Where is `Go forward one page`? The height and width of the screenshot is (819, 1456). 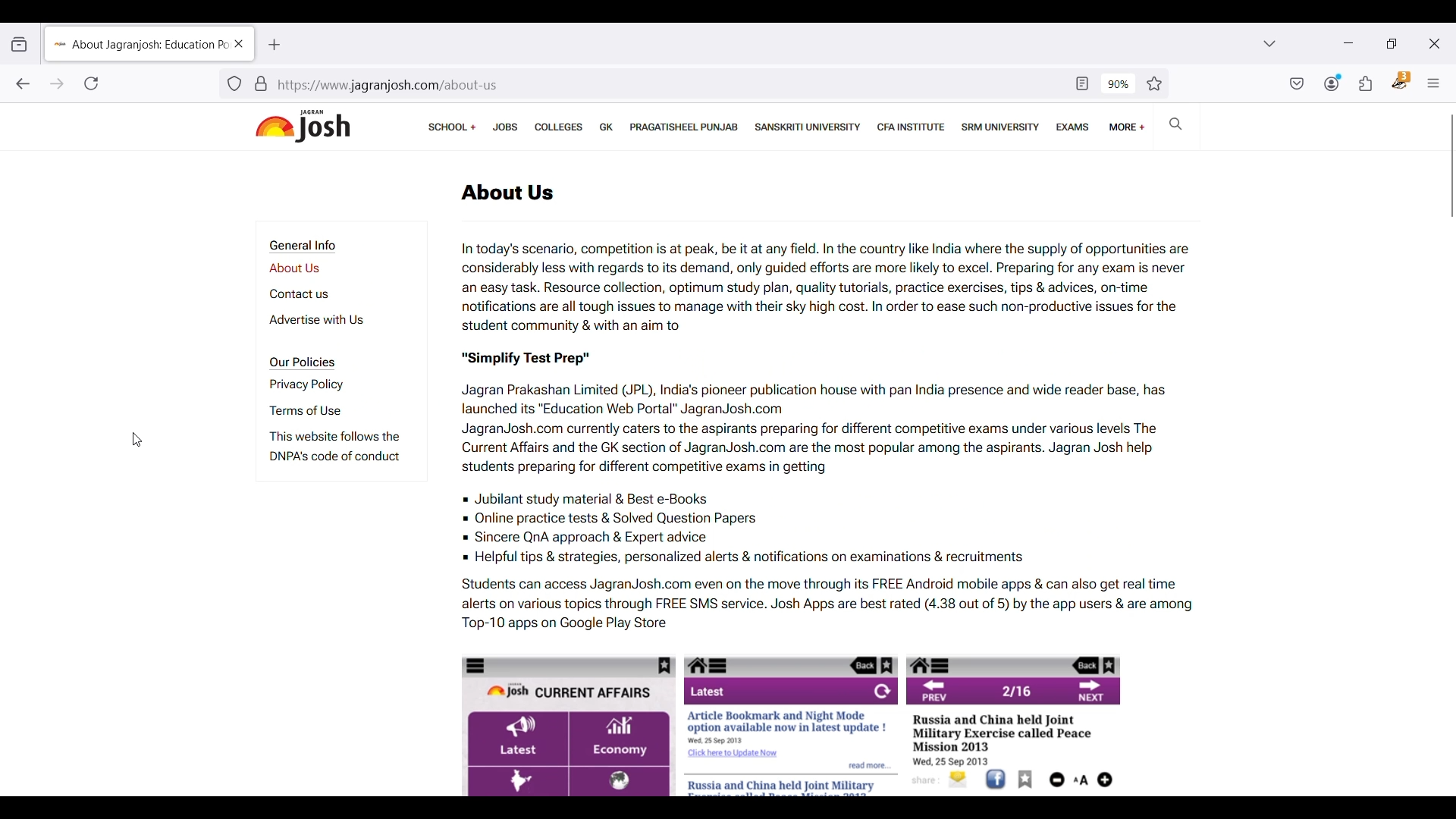
Go forward one page is located at coordinates (57, 84).